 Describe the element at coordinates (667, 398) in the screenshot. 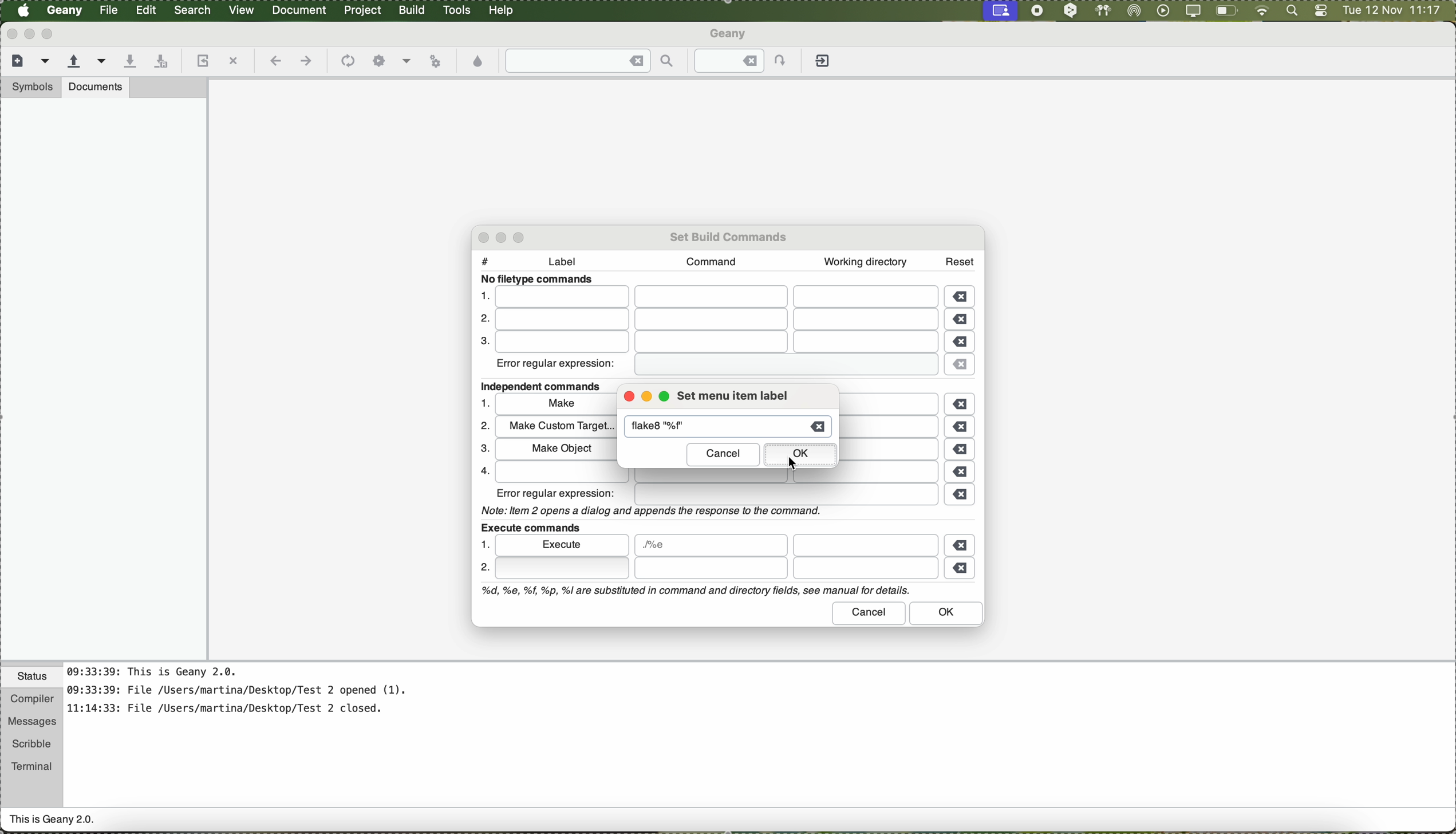

I see `maximize` at that location.